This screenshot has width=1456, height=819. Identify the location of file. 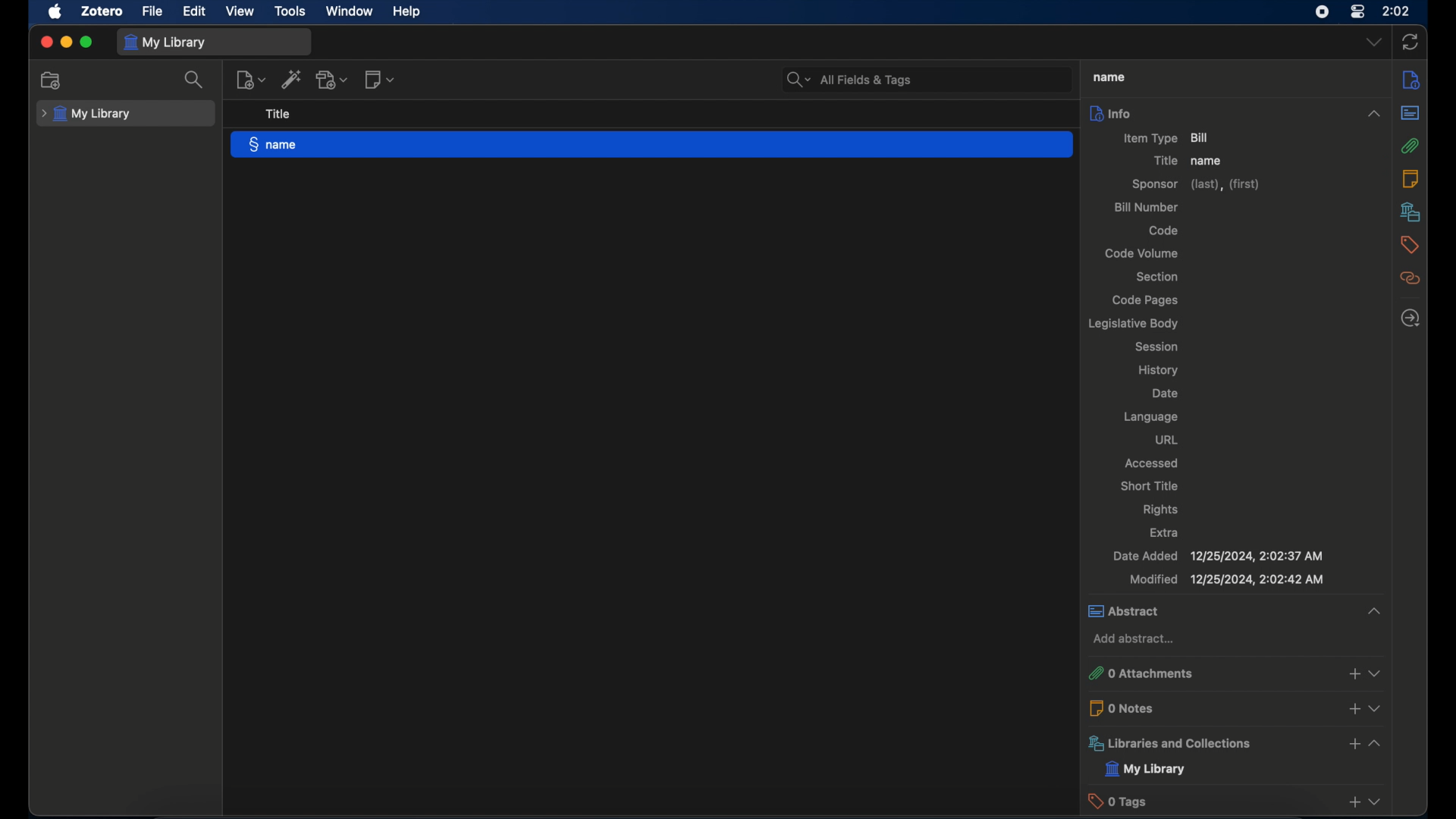
(153, 11).